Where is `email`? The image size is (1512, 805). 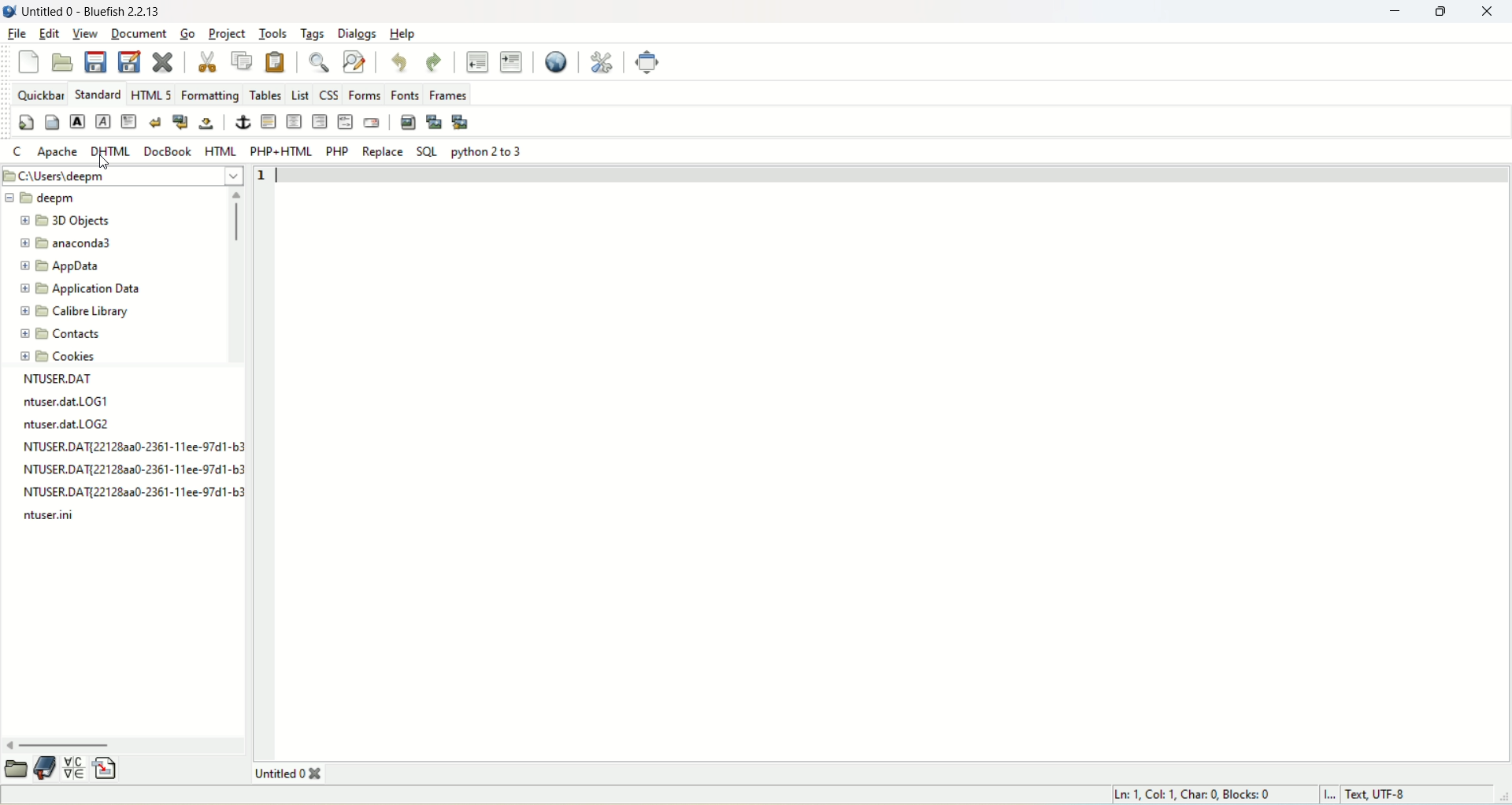
email is located at coordinates (373, 122).